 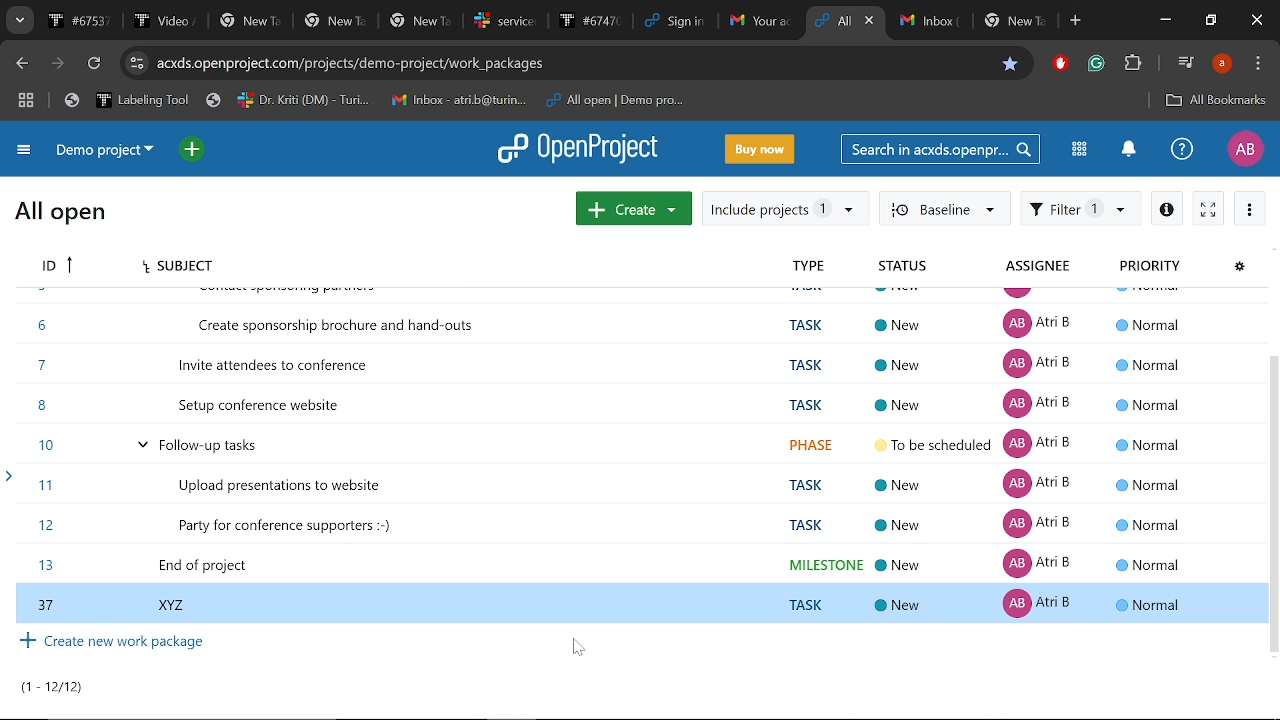 What do you see at coordinates (810, 268) in the screenshot?
I see `Type` at bounding box center [810, 268].